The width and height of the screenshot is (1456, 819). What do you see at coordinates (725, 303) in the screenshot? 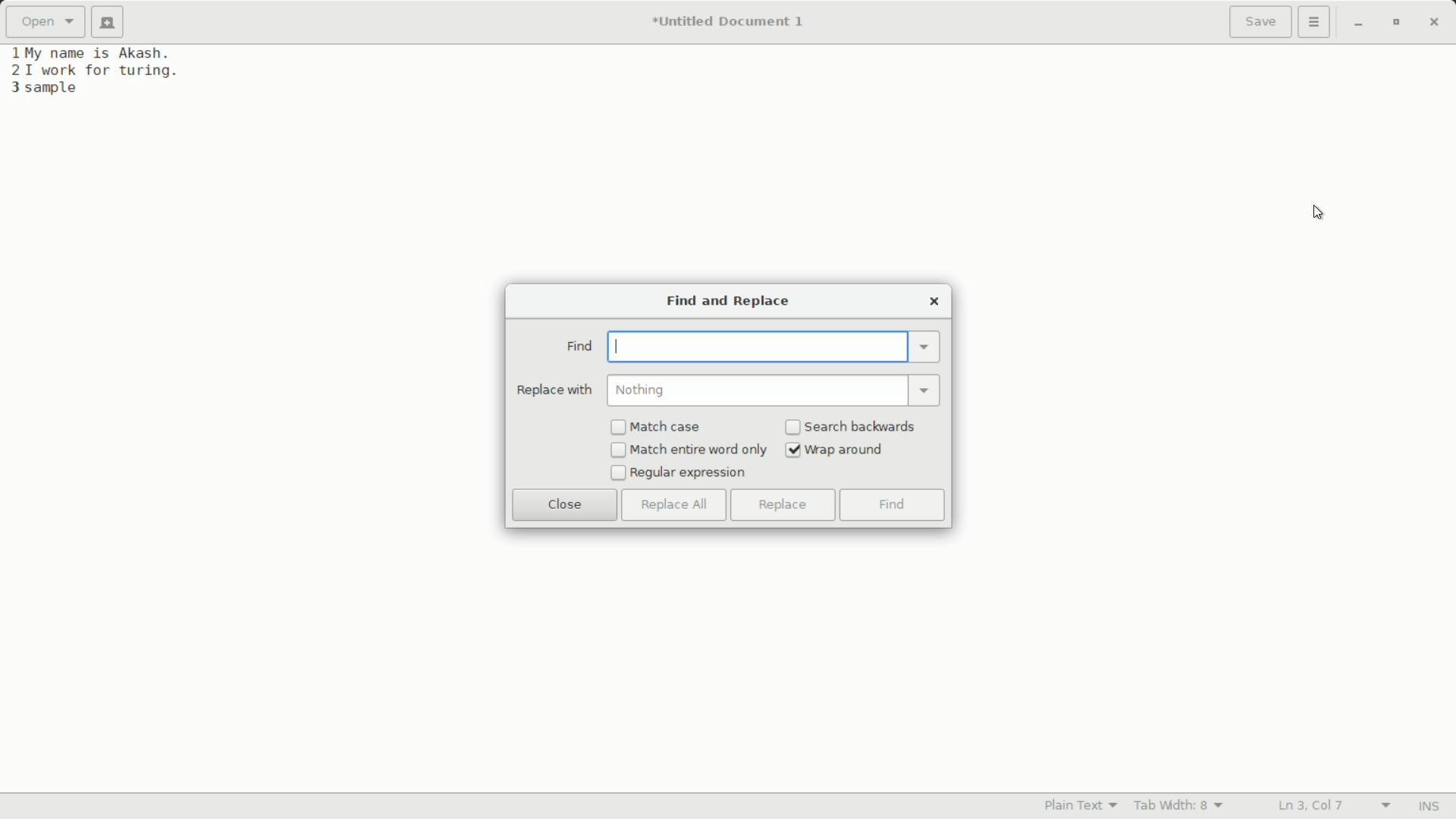
I see `find and replace` at bounding box center [725, 303].